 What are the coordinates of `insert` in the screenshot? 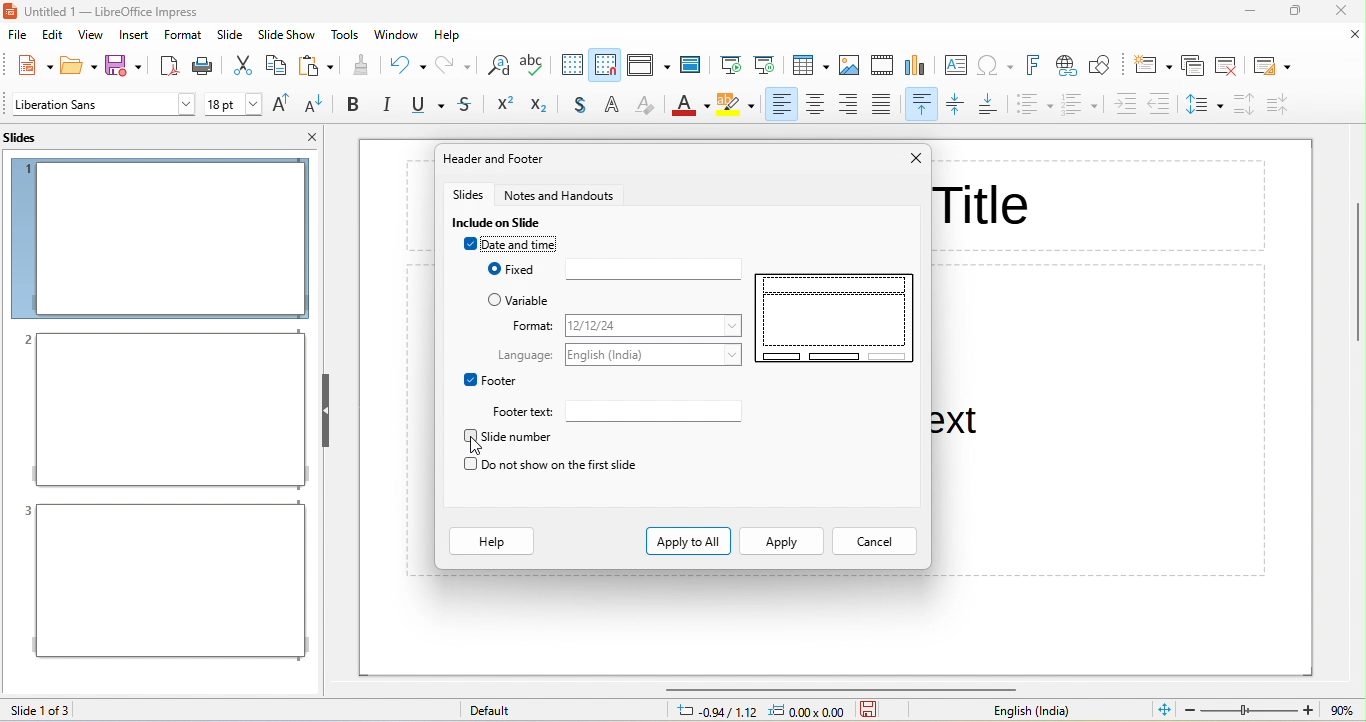 It's located at (134, 37).